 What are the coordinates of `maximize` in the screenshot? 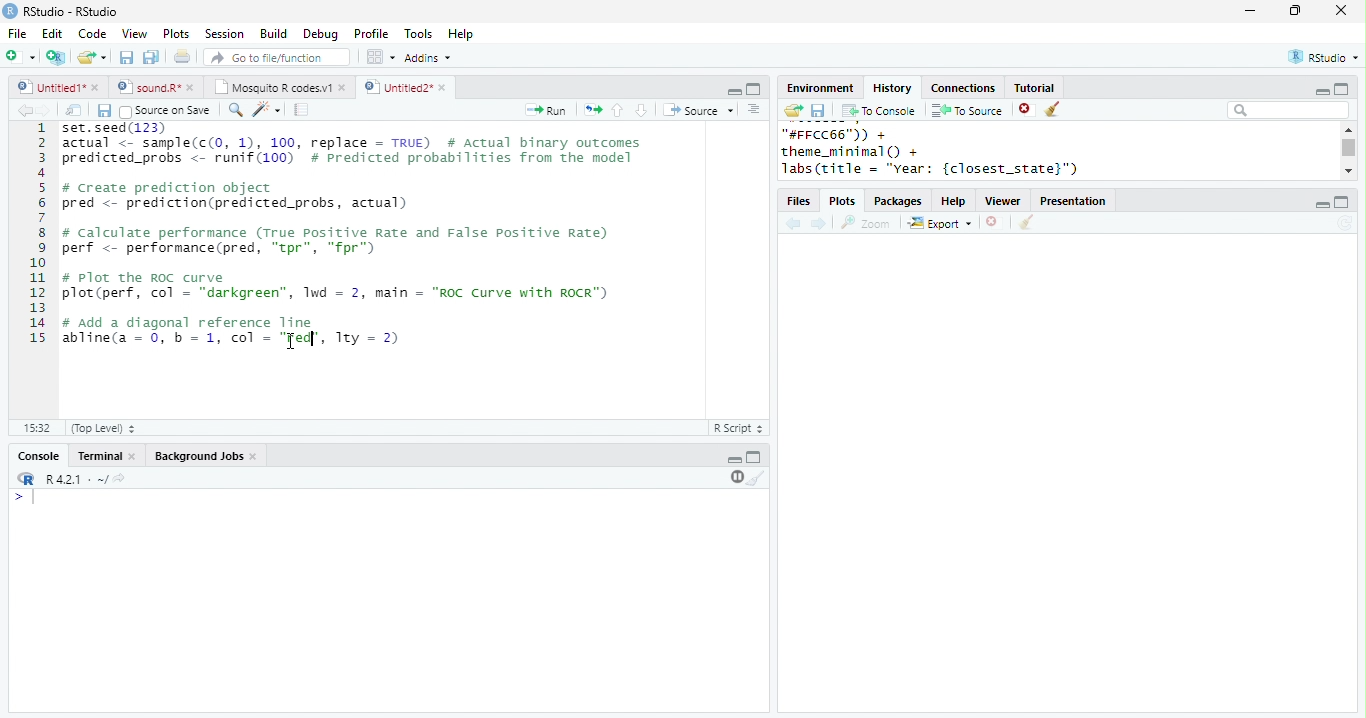 It's located at (754, 456).